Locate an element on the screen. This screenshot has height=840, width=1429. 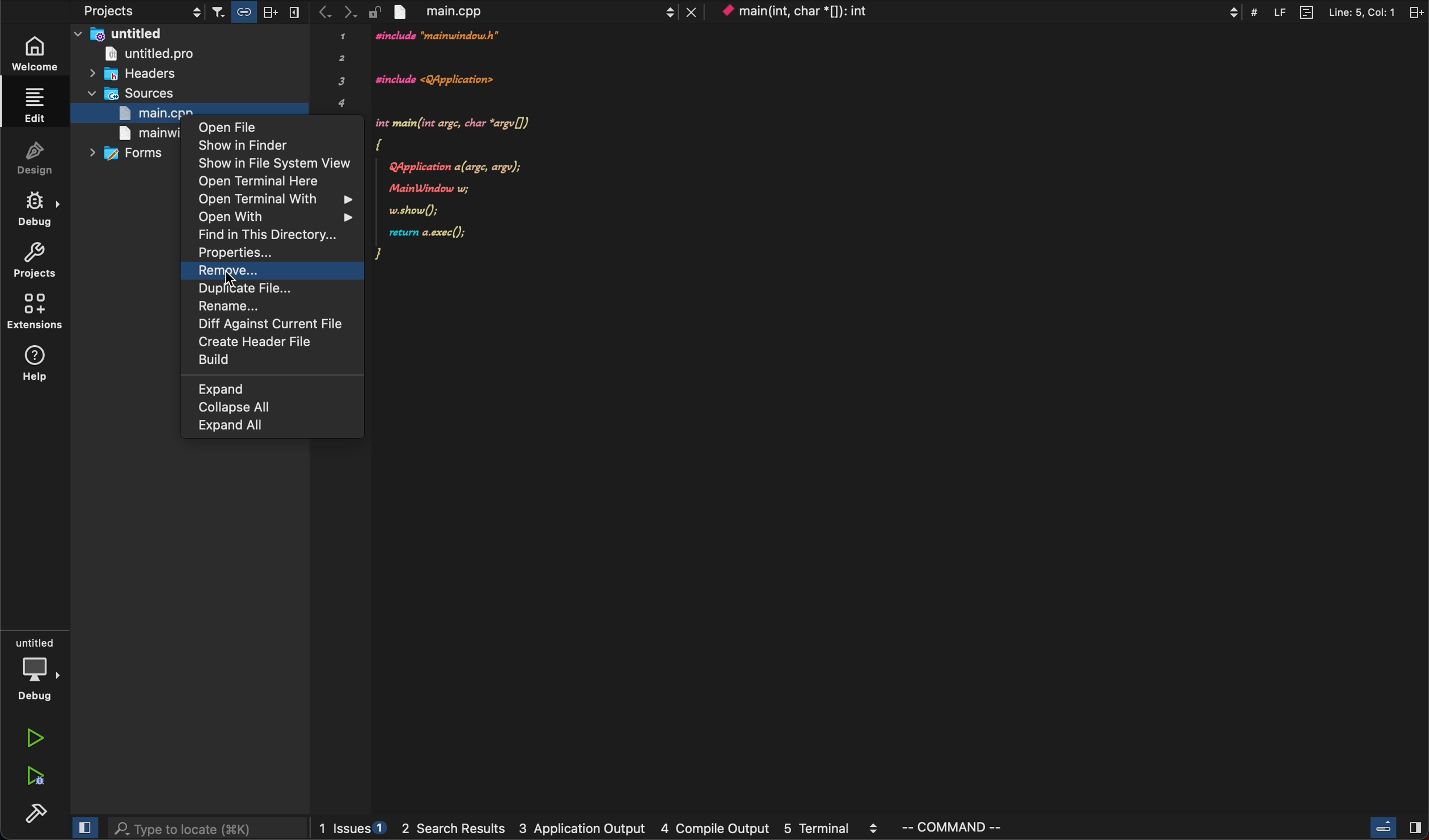
main>cpp is located at coordinates (146, 112).